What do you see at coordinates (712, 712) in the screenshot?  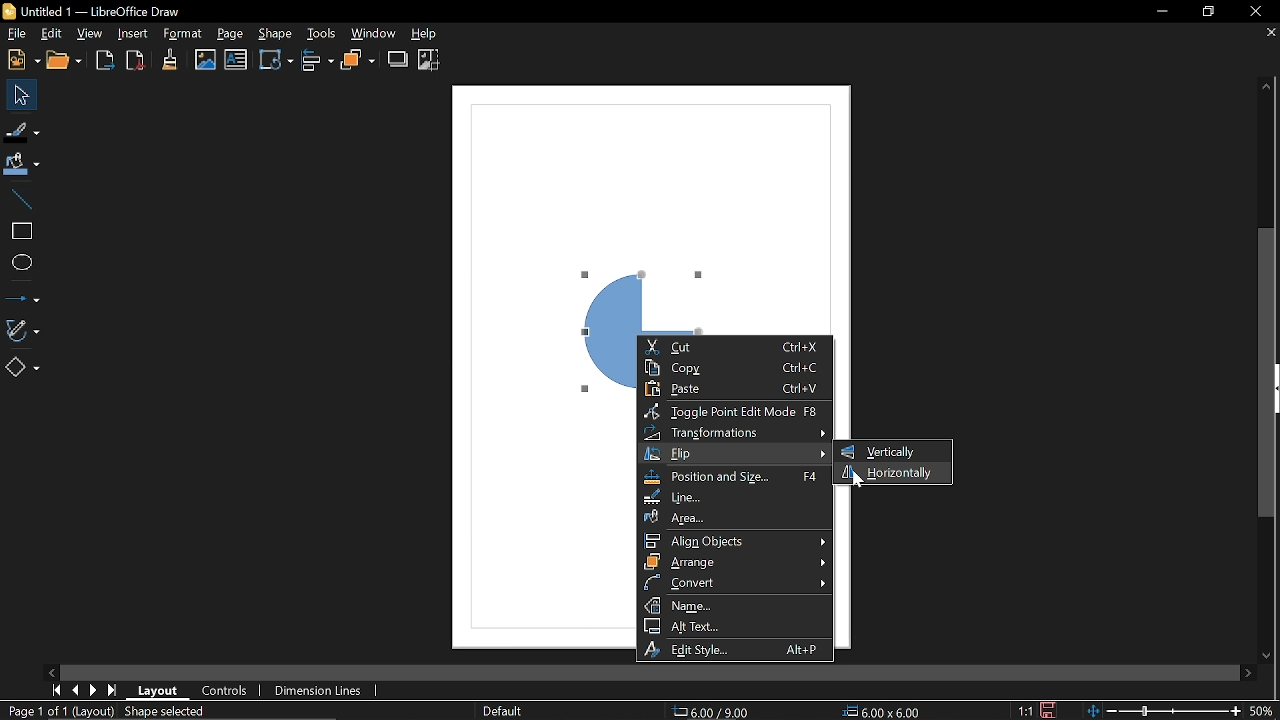 I see `Position` at bounding box center [712, 712].